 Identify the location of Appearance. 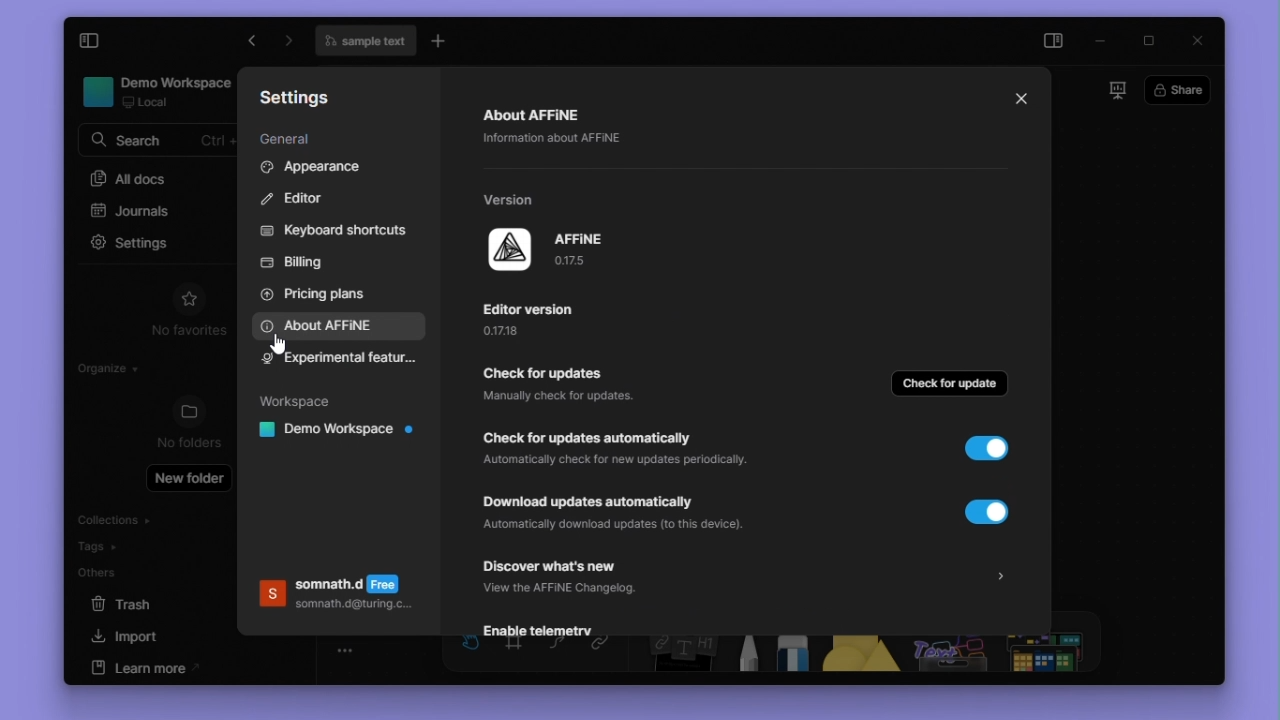
(338, 167).